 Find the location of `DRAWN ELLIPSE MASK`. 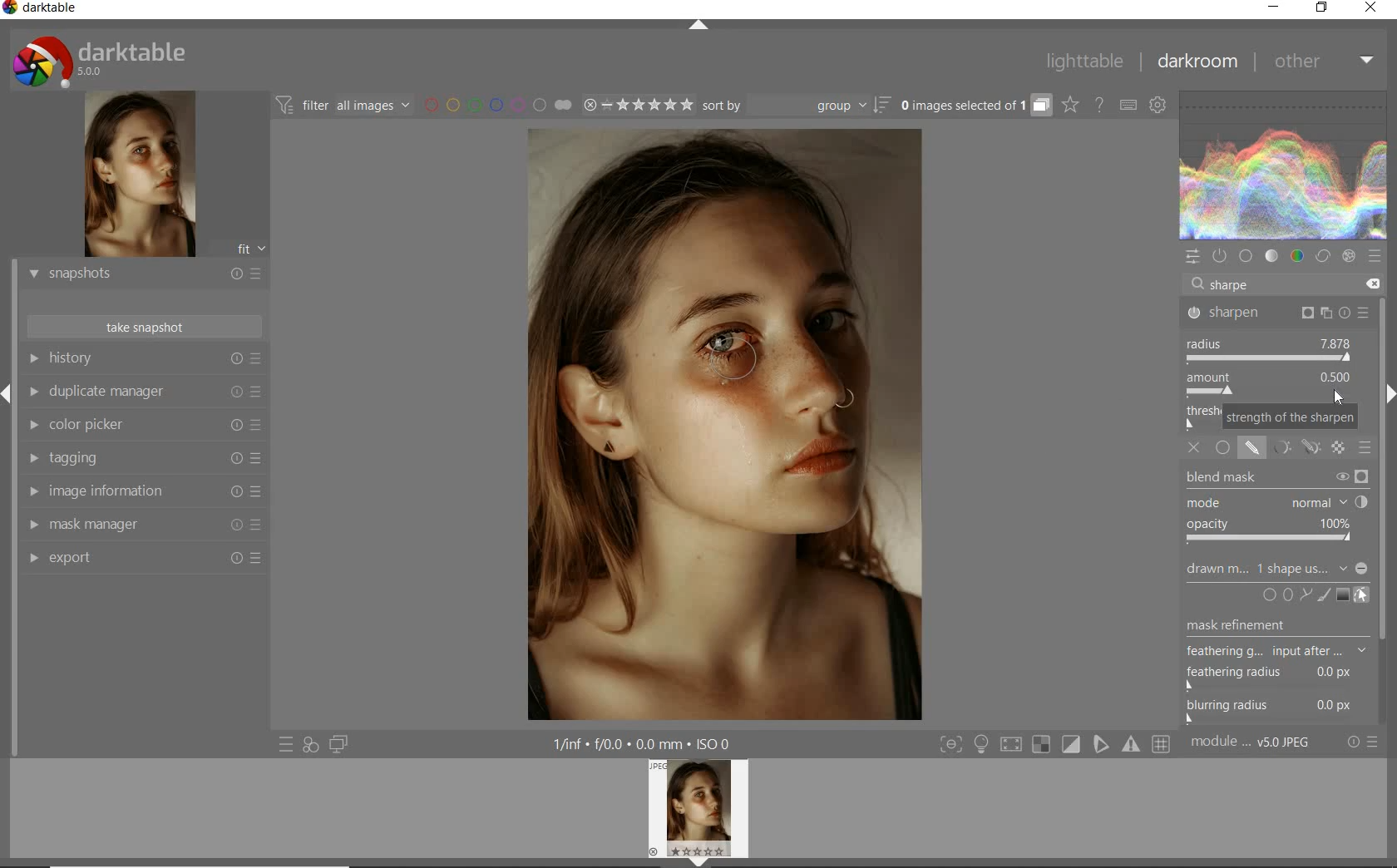

DRAWN ELLIPSE MASK is located at coordinates (740, 359).